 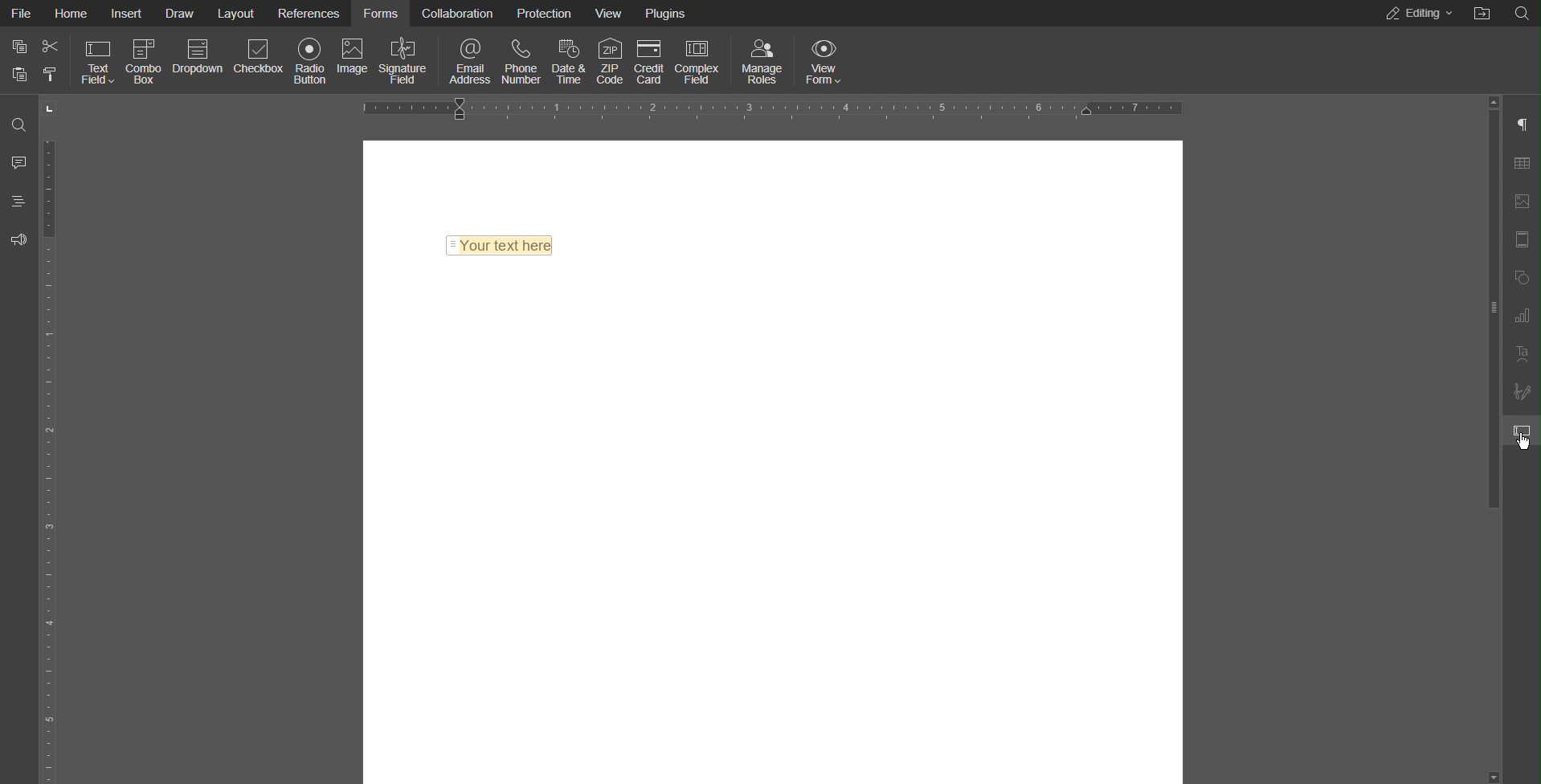 I want to click on Graph Settings, so click(x=1520, y=314).